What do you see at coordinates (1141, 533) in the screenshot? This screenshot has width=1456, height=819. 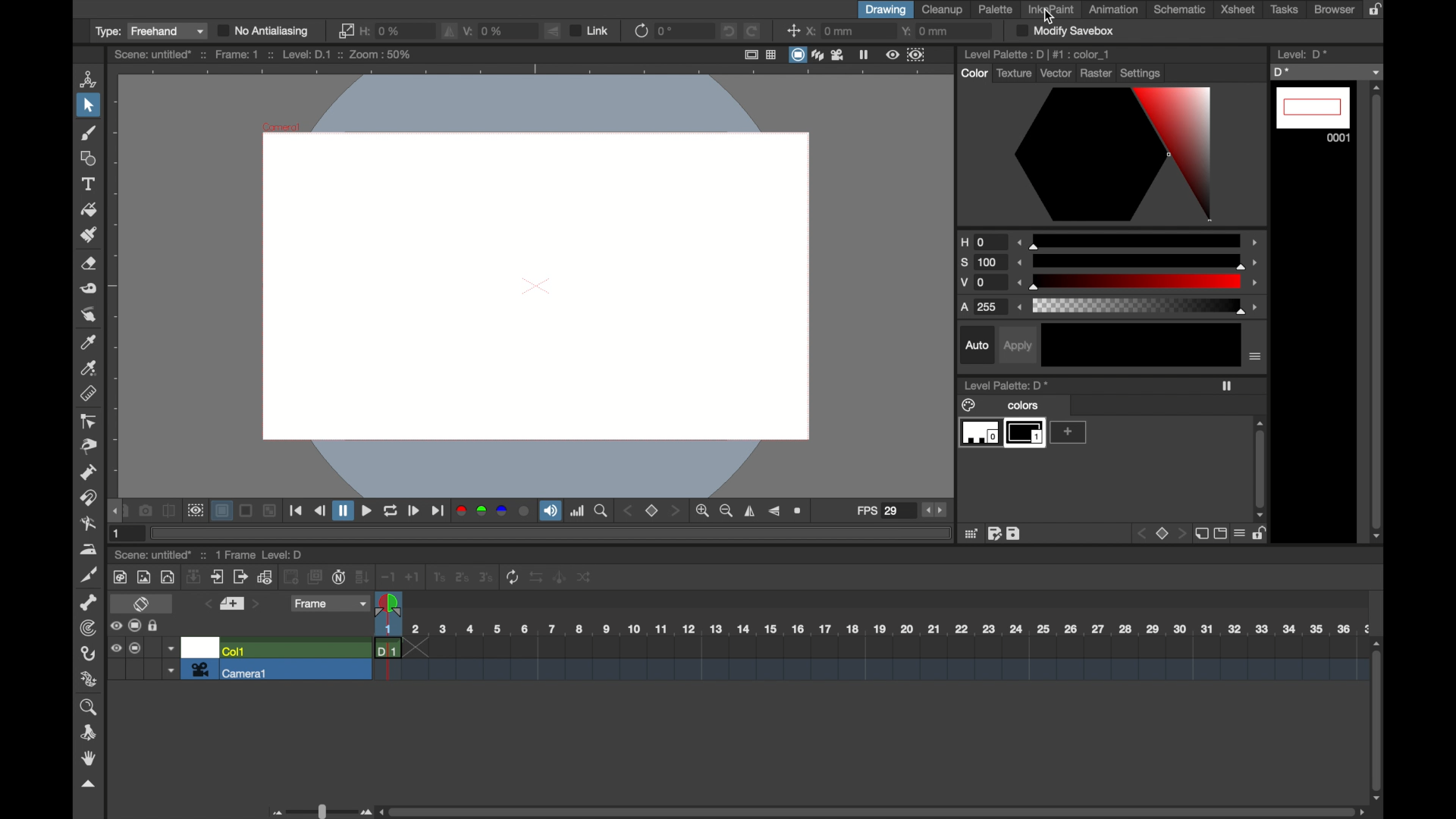 I see `back` at bounding box center [1141, 533].